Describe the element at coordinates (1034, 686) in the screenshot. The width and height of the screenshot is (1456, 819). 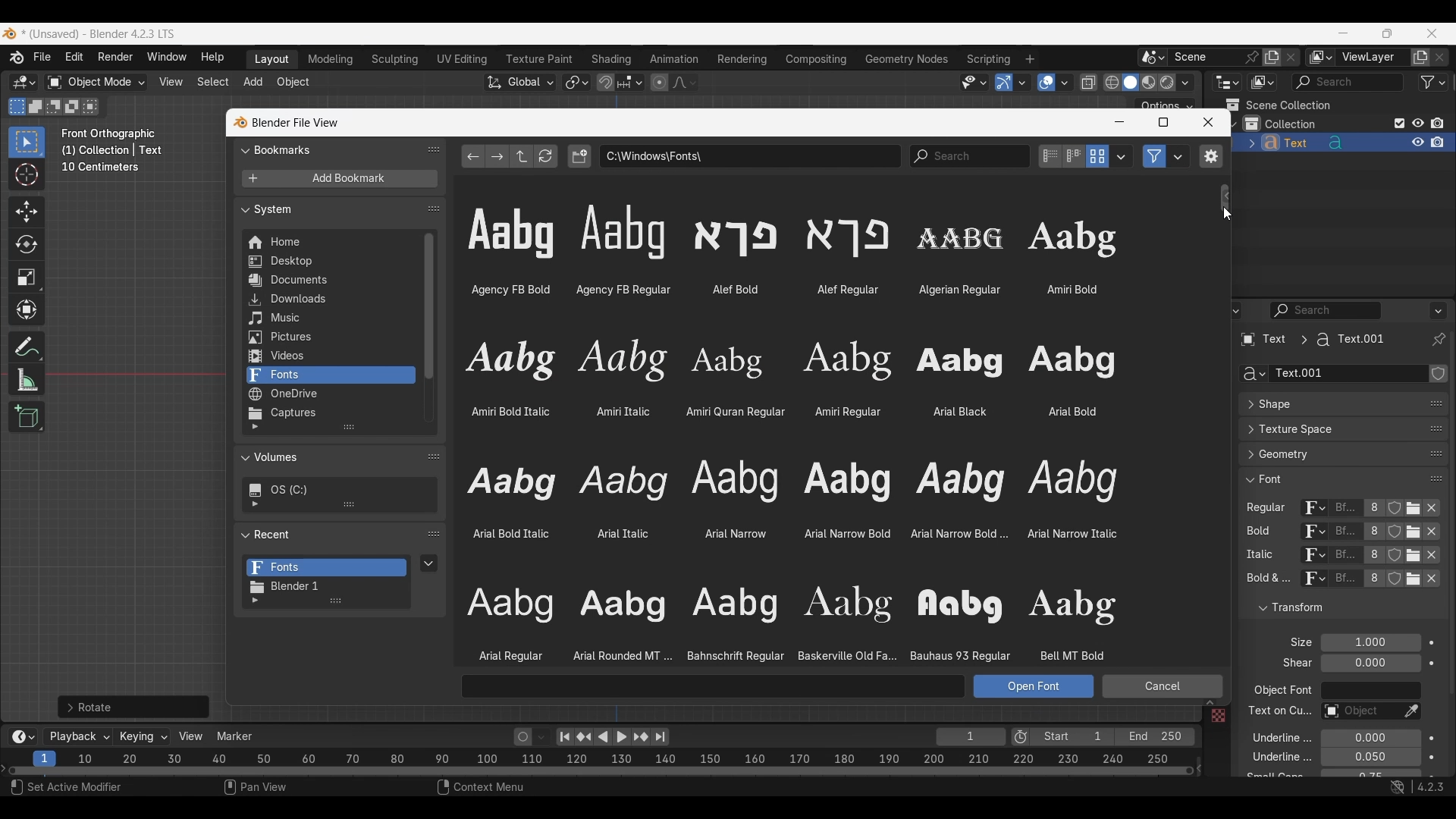
I see `Open selected font in Text object` at that location.